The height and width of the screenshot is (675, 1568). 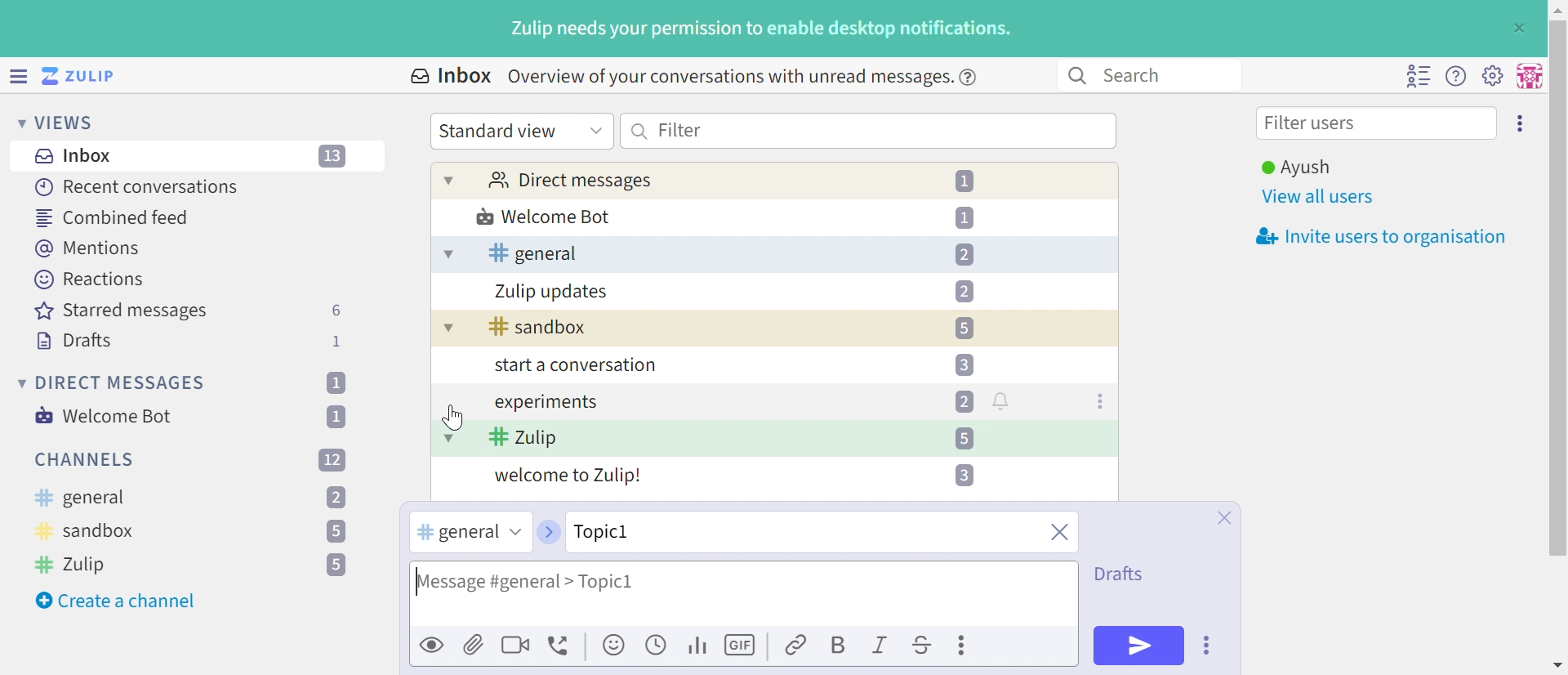 I want to click on Preview, so click(x=433, y=644).